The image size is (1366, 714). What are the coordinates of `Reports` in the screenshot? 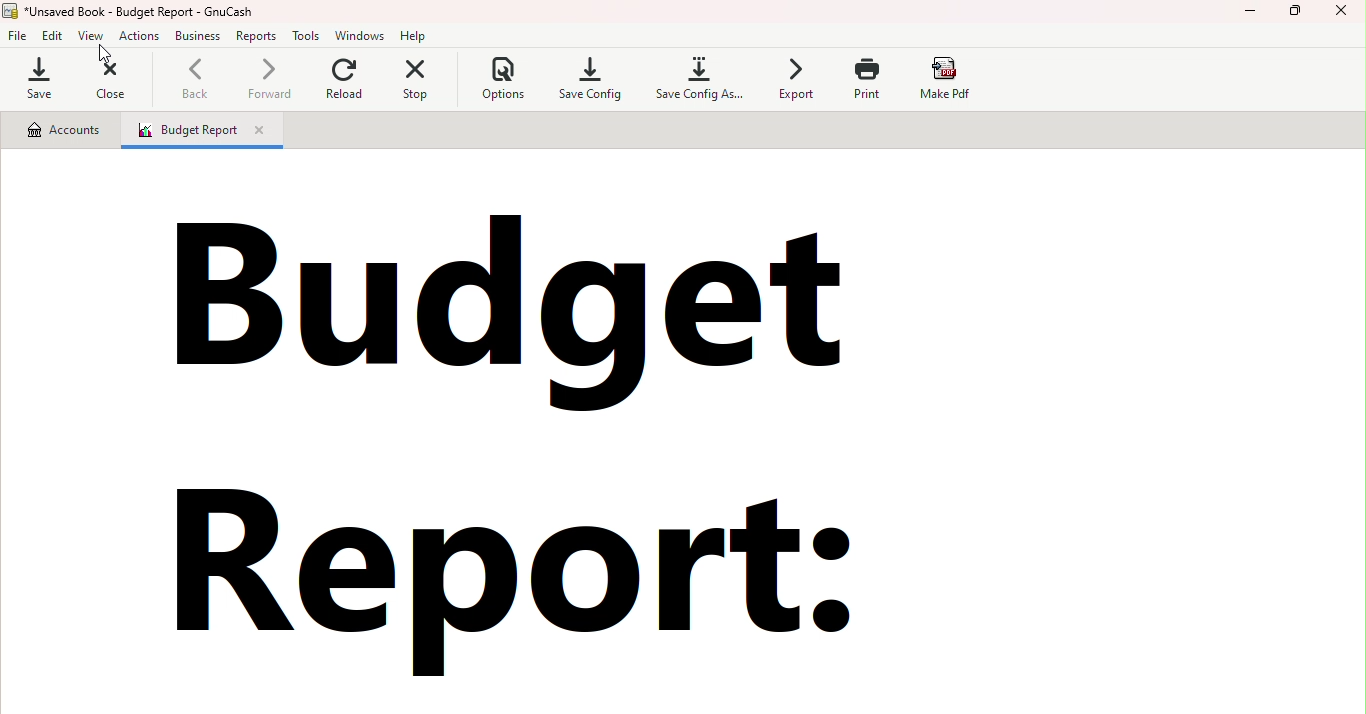 It's located at (256, 38).